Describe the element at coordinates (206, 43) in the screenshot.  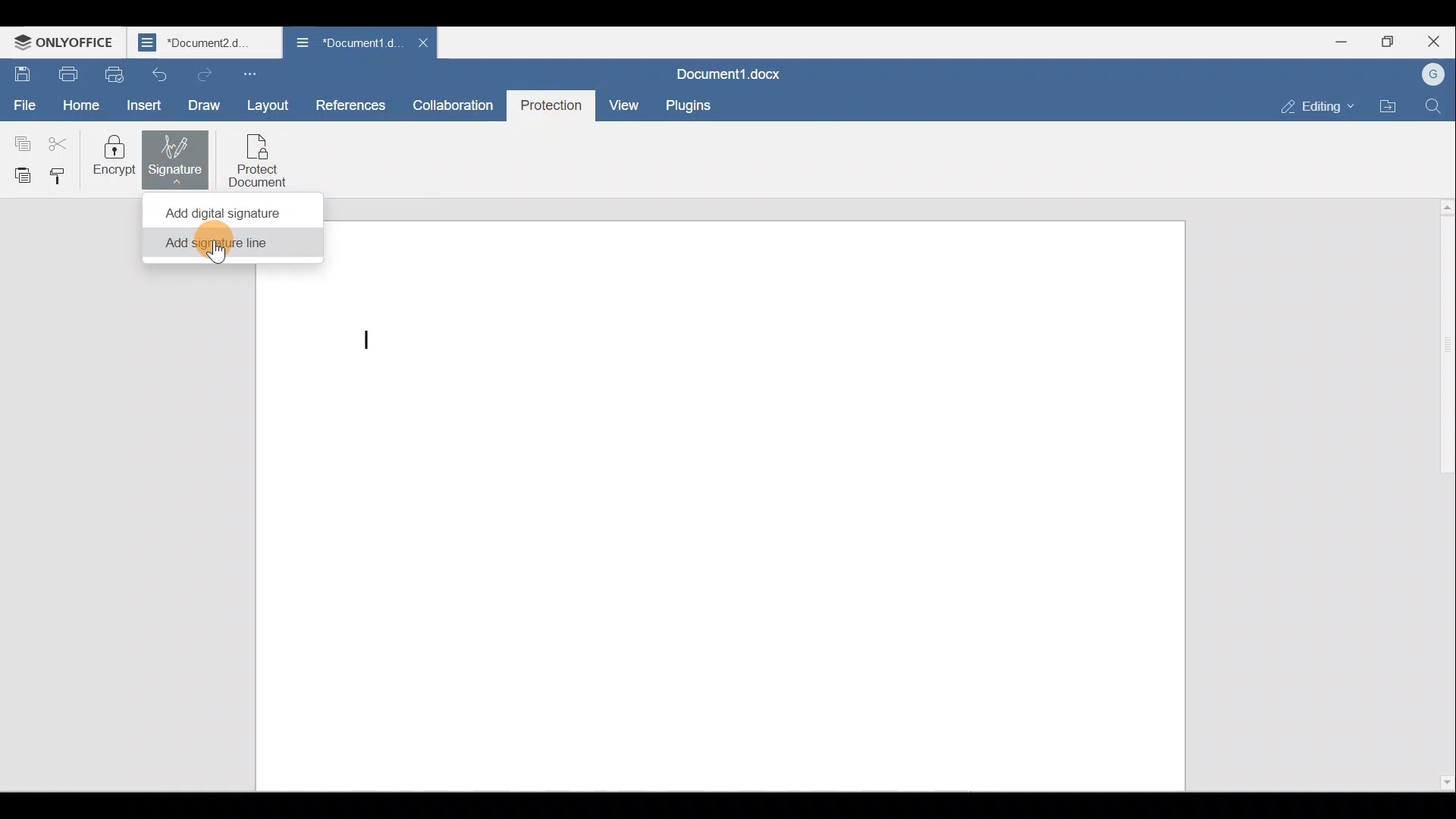
I see `Document name` at that location.